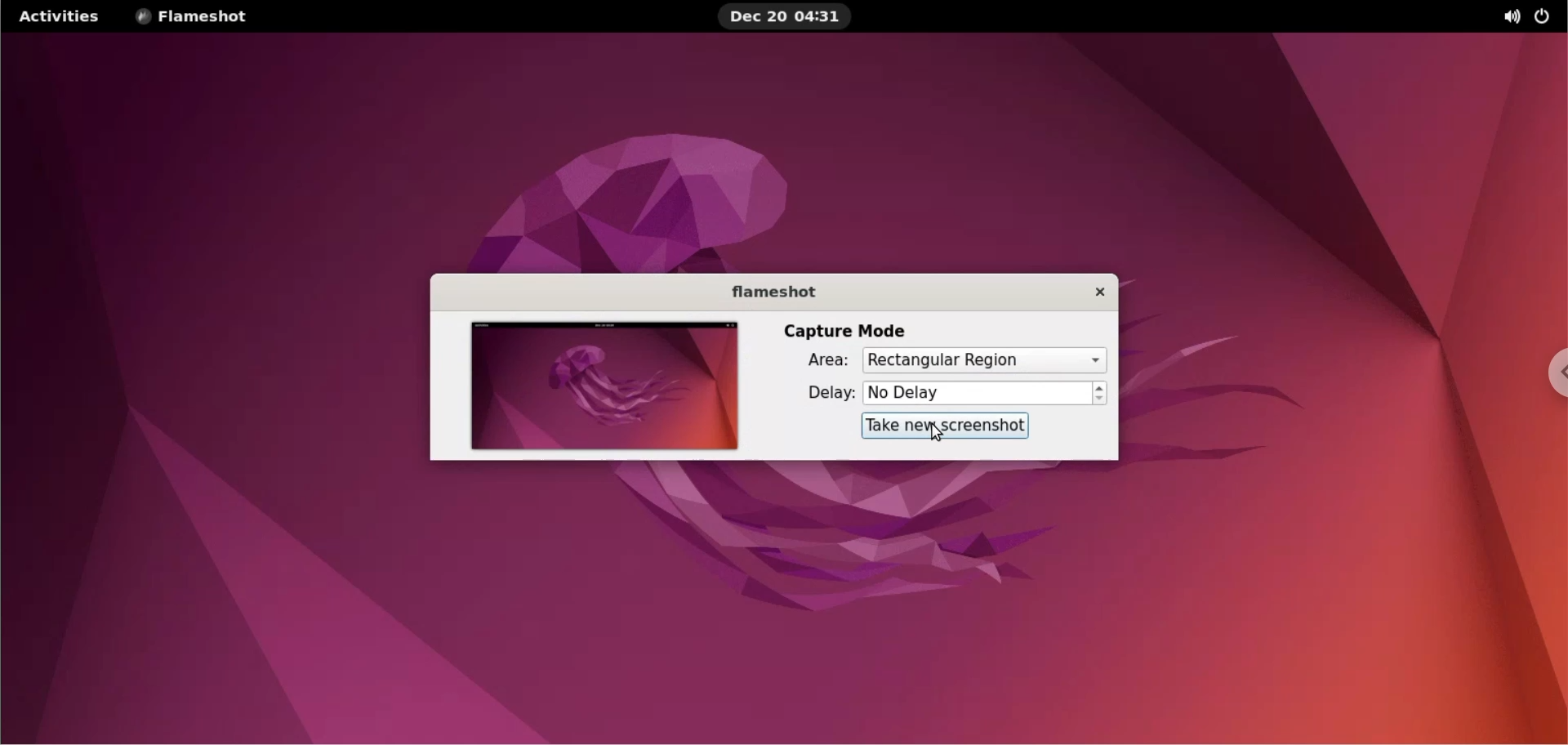 The width and height of the screenshot is (1568, 745). What do you see at coordinates (601, 389) in the screenshot?
I see `screenshot preview` at bounding box center [601, 389].